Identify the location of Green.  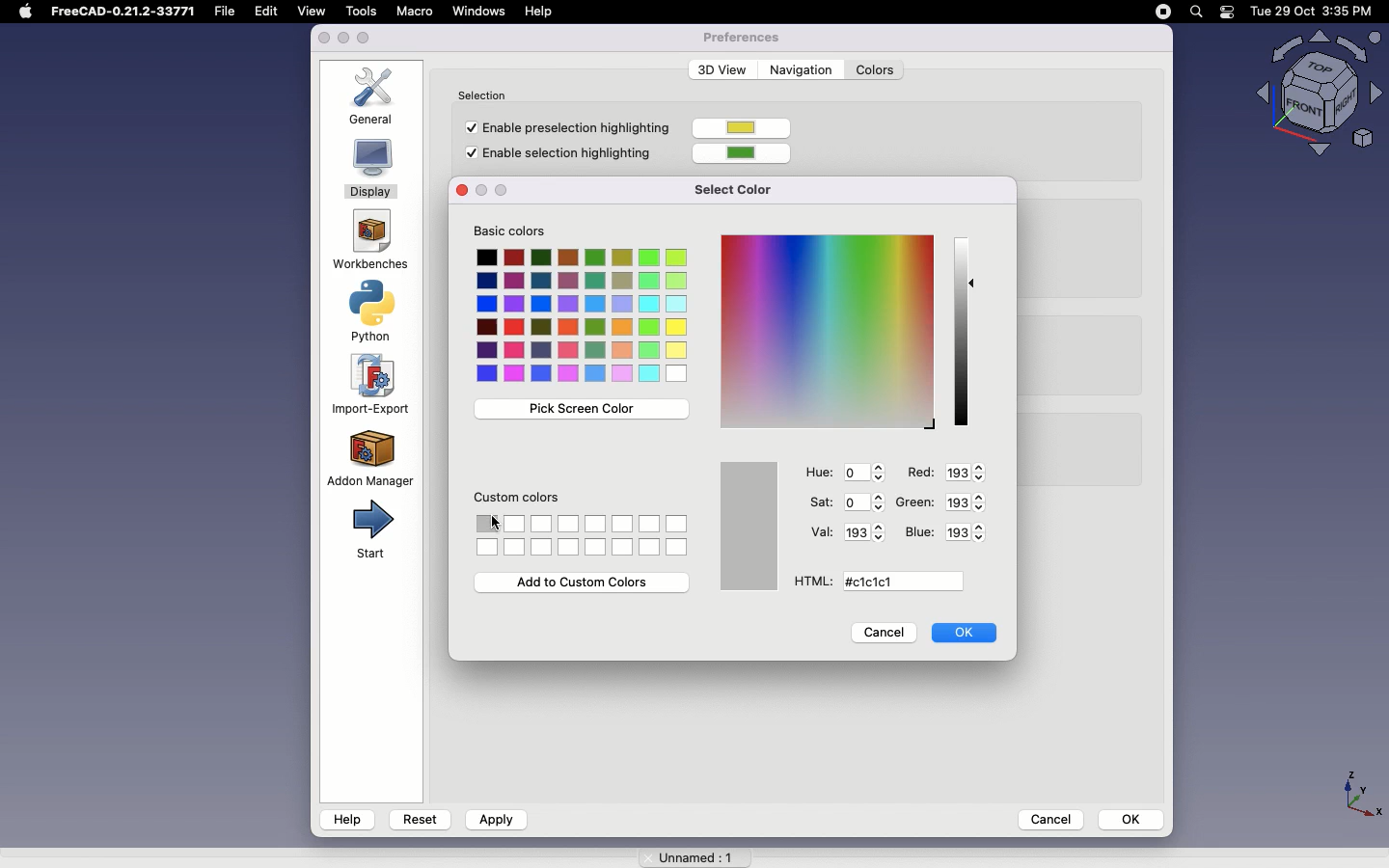
(916, 501).